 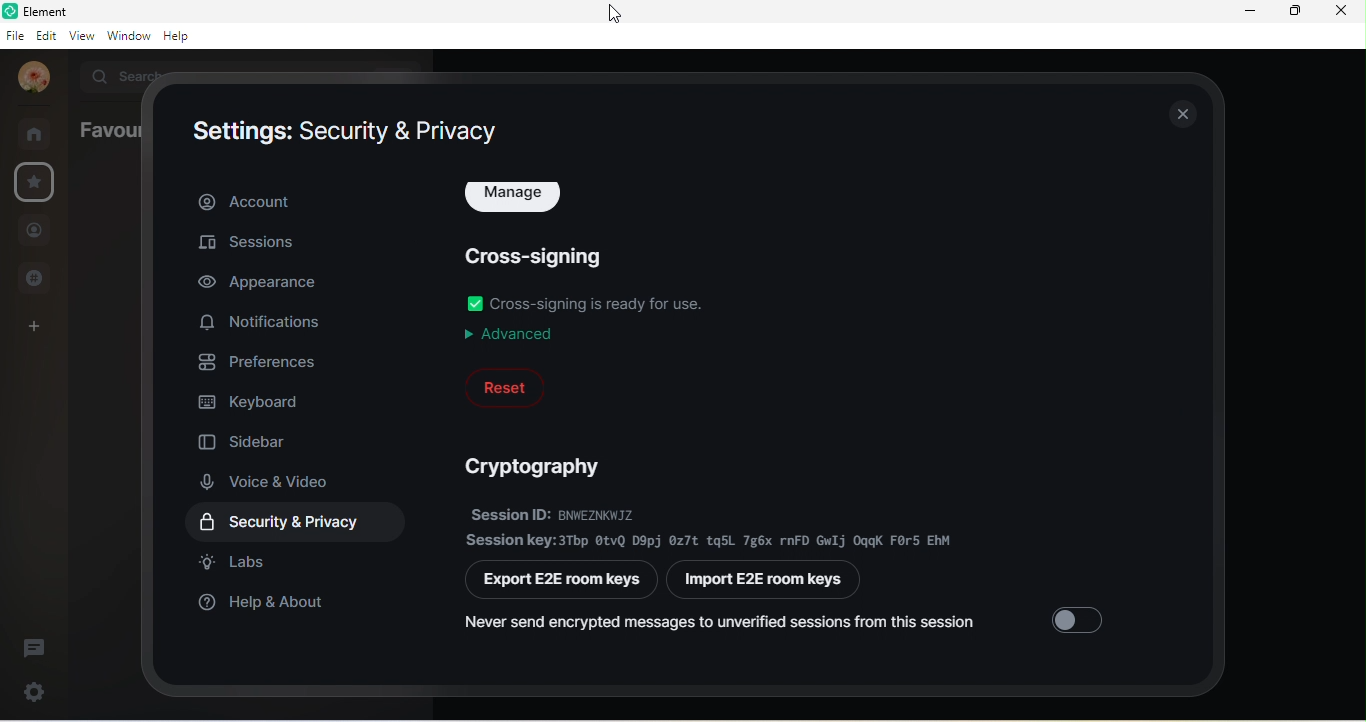 I want to click on file, so click(x=14, y=36).